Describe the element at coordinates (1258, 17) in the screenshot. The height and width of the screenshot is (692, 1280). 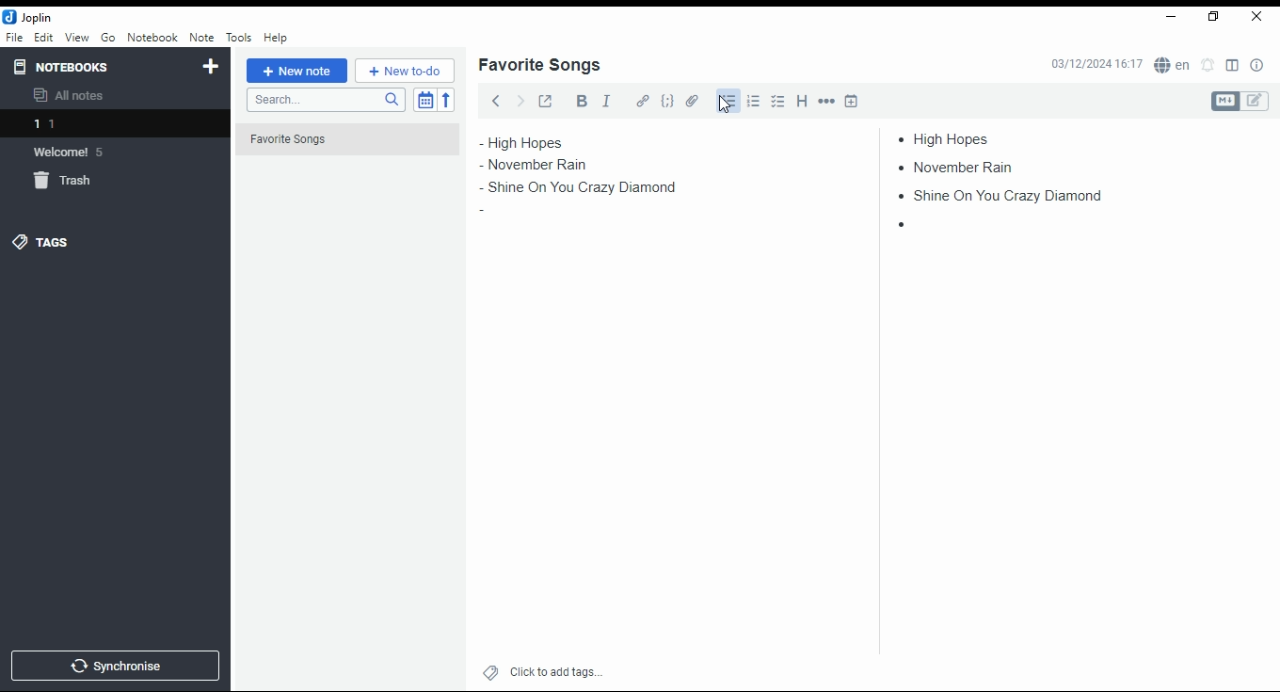
I see `close window` at that location.